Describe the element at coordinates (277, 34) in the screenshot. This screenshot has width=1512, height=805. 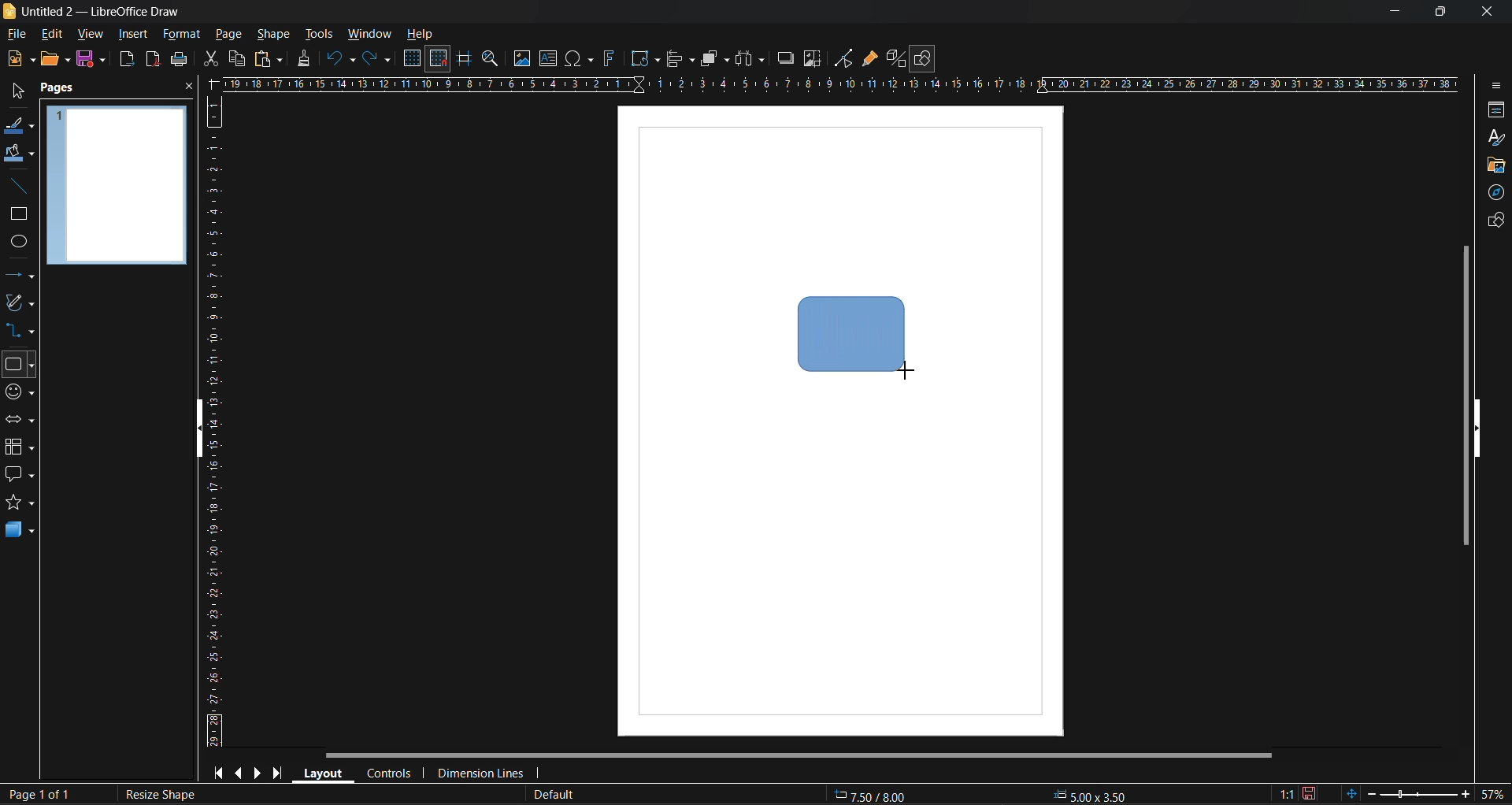
I see `shape` at that location.